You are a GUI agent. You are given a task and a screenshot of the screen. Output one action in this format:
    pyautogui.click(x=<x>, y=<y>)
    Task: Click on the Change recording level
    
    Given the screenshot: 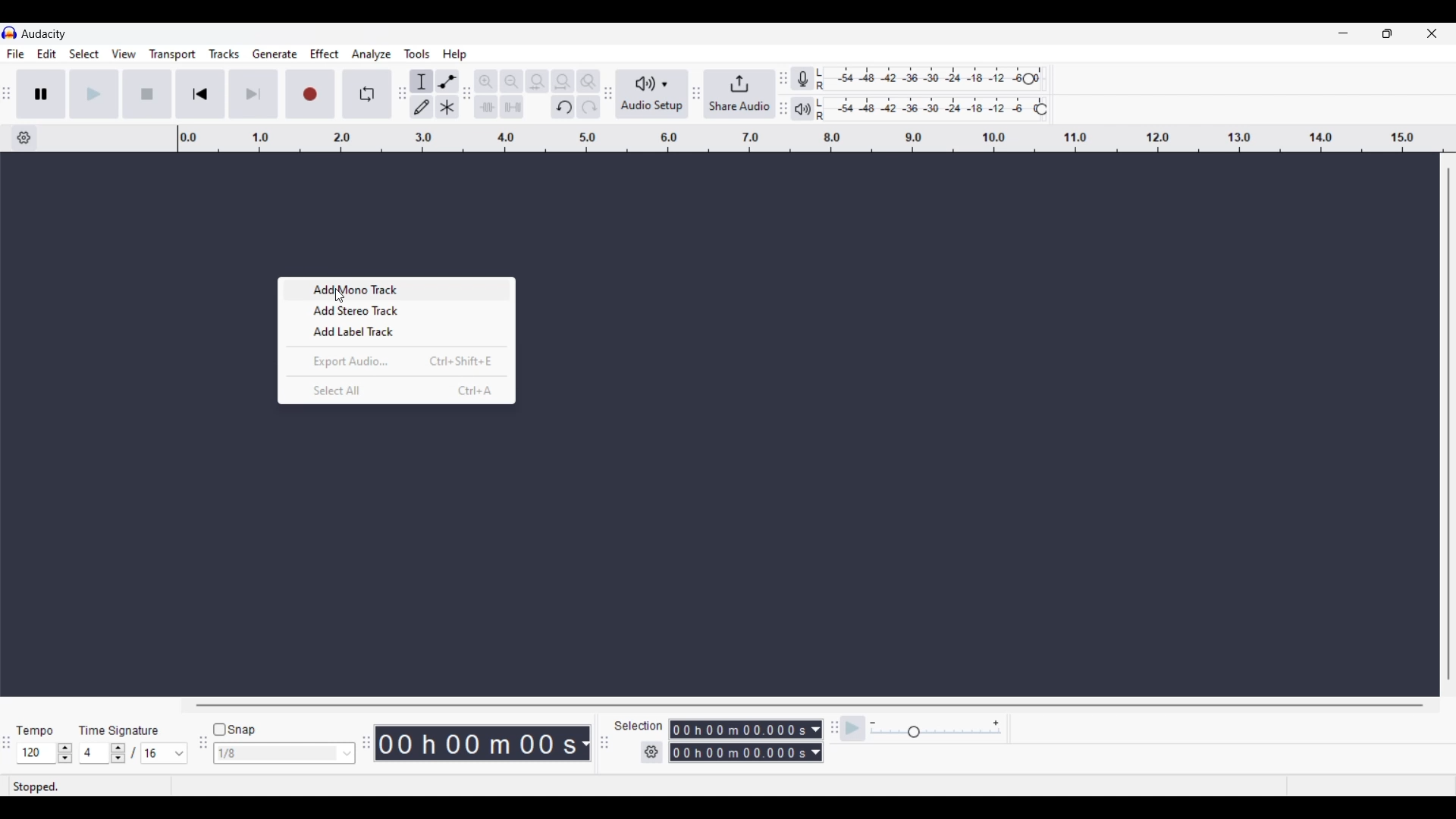 What is the action you would take?
    pyautogui.click(x=1028, y=78)
    